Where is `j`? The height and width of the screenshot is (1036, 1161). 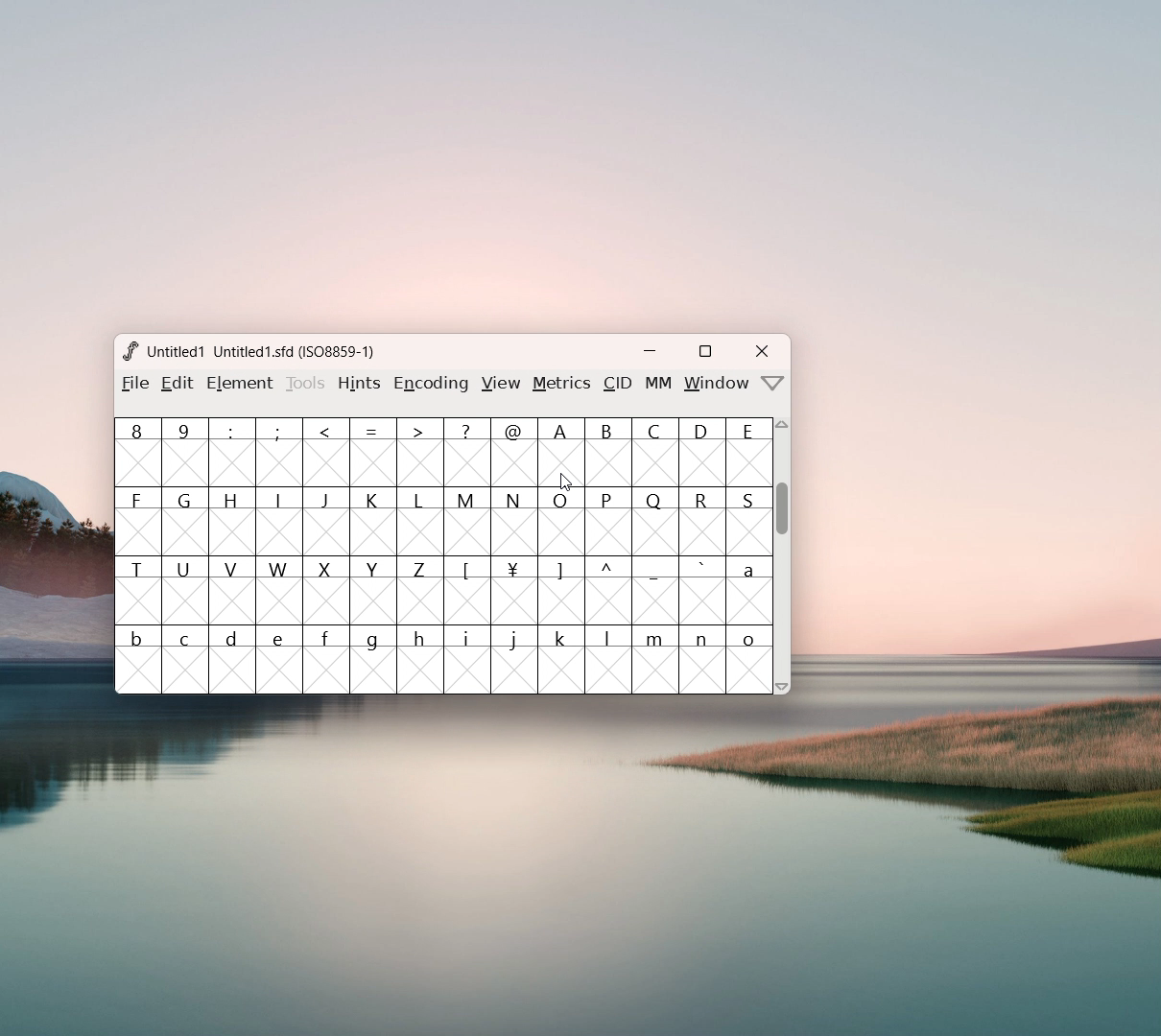 j is located at coordinates (516, 659).